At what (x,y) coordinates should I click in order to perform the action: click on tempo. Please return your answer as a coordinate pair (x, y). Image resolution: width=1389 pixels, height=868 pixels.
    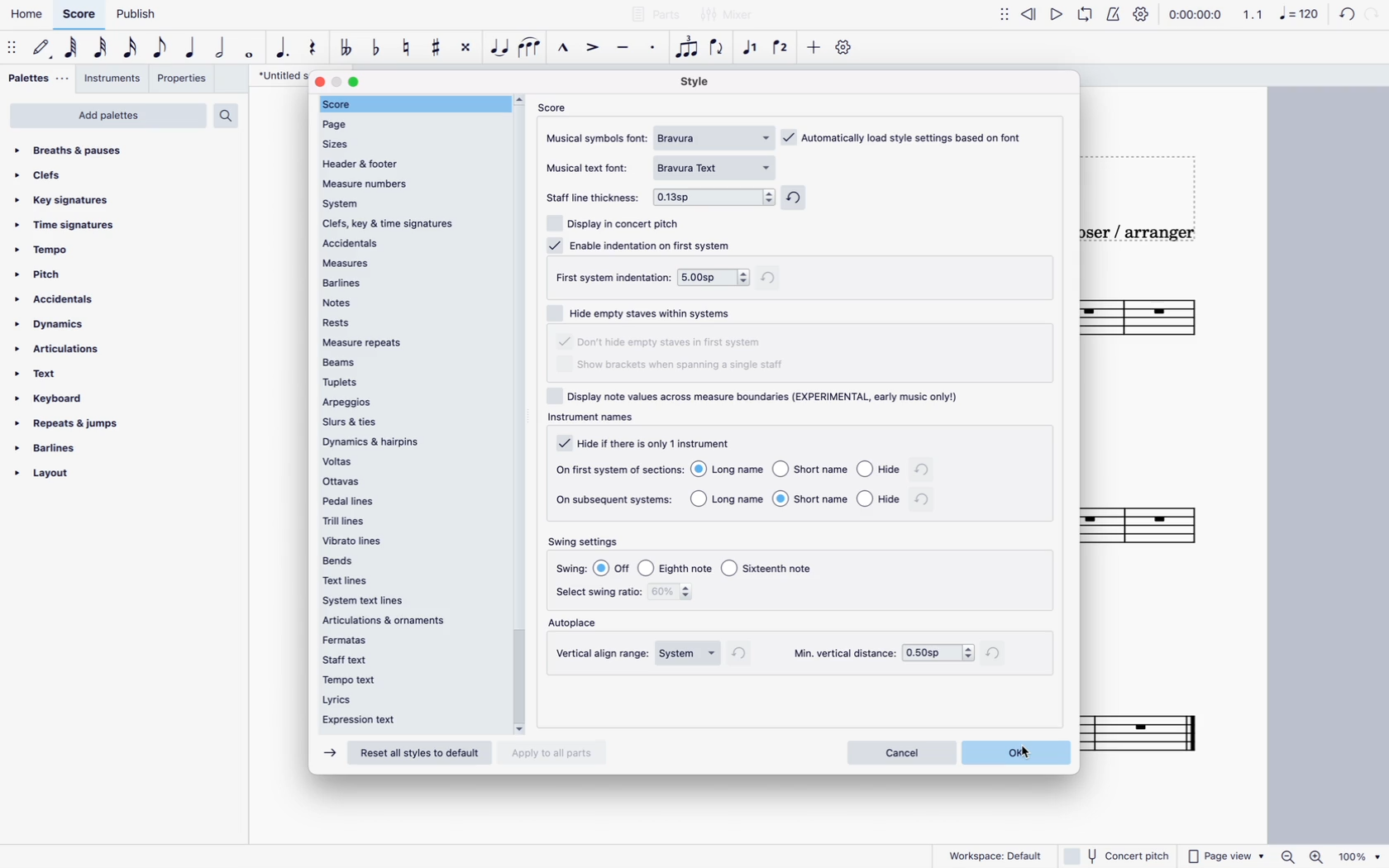
    Looking at the image, I should click on (46, 254).